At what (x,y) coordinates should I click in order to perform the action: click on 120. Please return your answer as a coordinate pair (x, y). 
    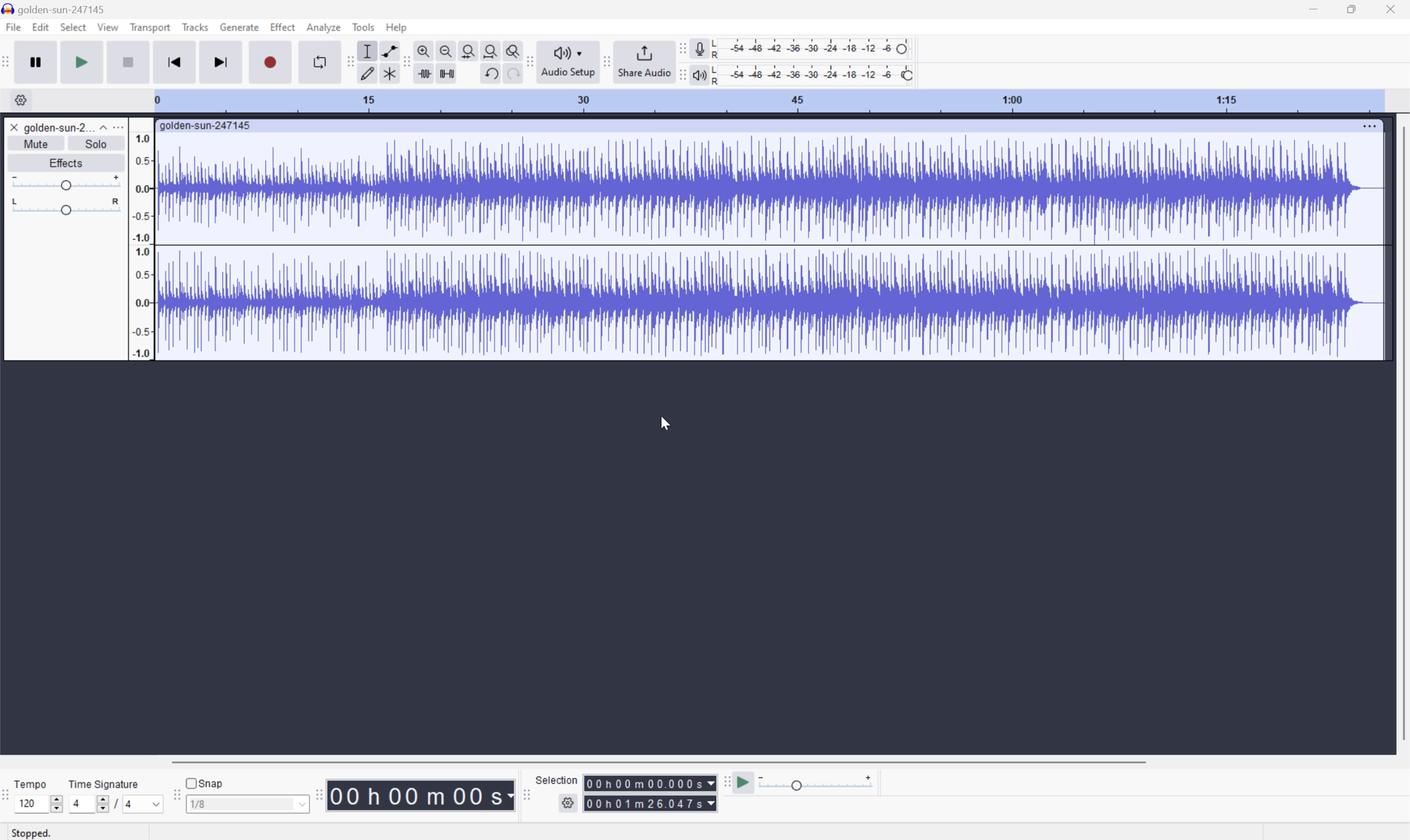
    Looking at the image, I should click on (33, 804).